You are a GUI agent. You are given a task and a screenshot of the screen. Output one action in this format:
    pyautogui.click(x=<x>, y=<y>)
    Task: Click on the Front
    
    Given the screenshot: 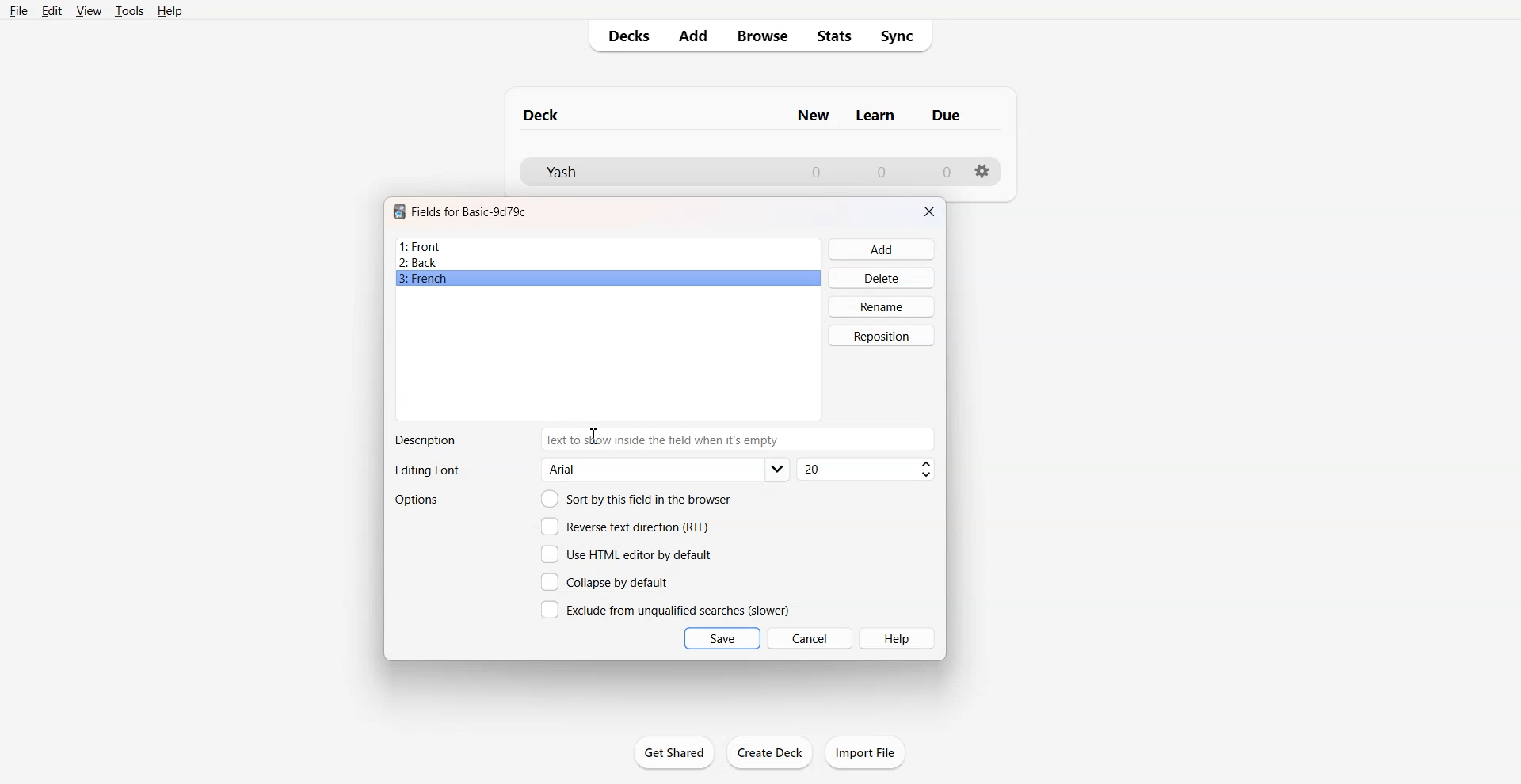 What is the action you would take?
    pyautogui.click(x=608, y=246)
    